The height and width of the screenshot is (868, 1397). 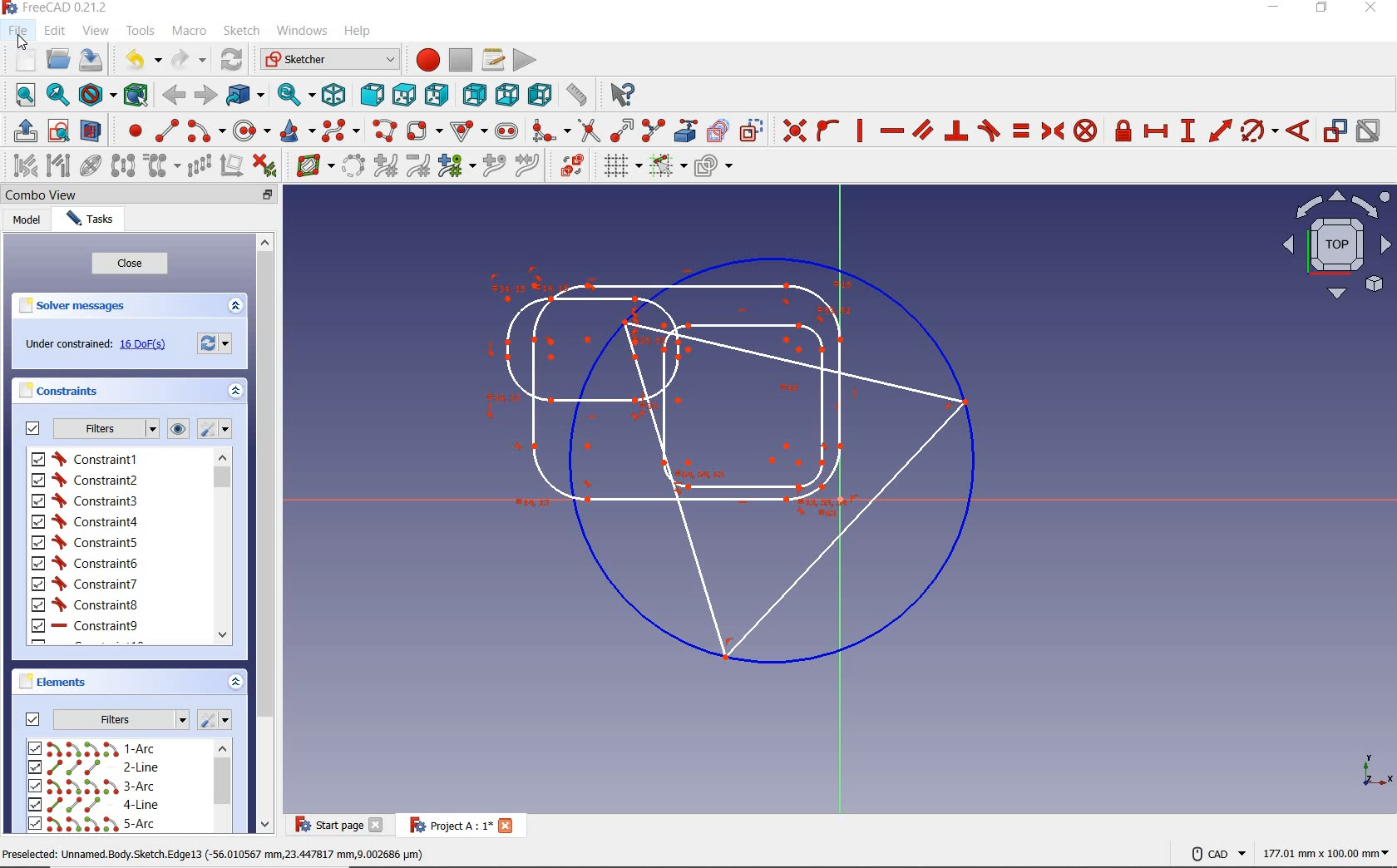 What do you see at coordinates (269, 194) in the screenshot?
I see `restore down` at bounding box center [269, 194].